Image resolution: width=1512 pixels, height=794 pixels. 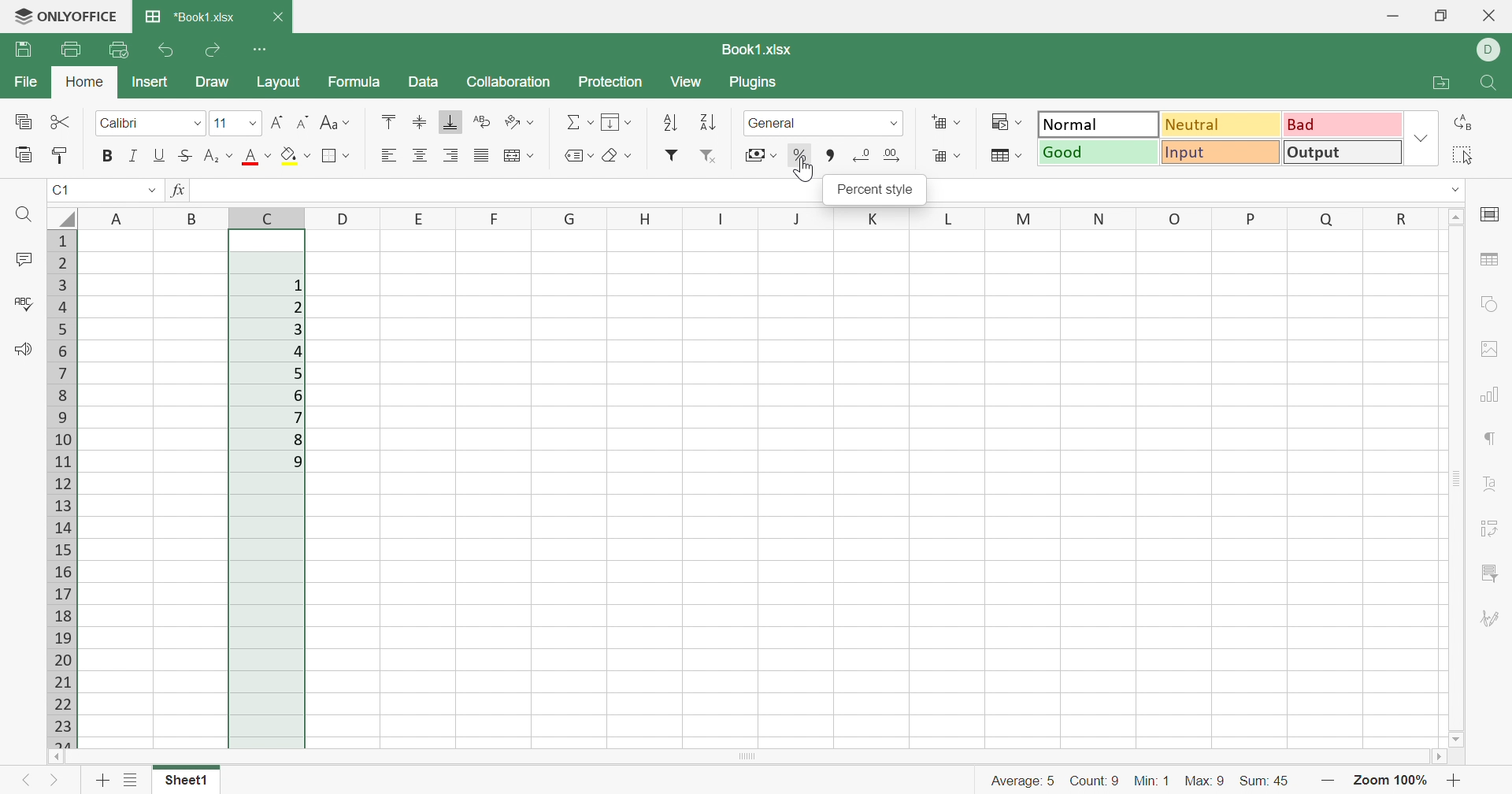 I want to click on fx, so click(x=179, y=191).